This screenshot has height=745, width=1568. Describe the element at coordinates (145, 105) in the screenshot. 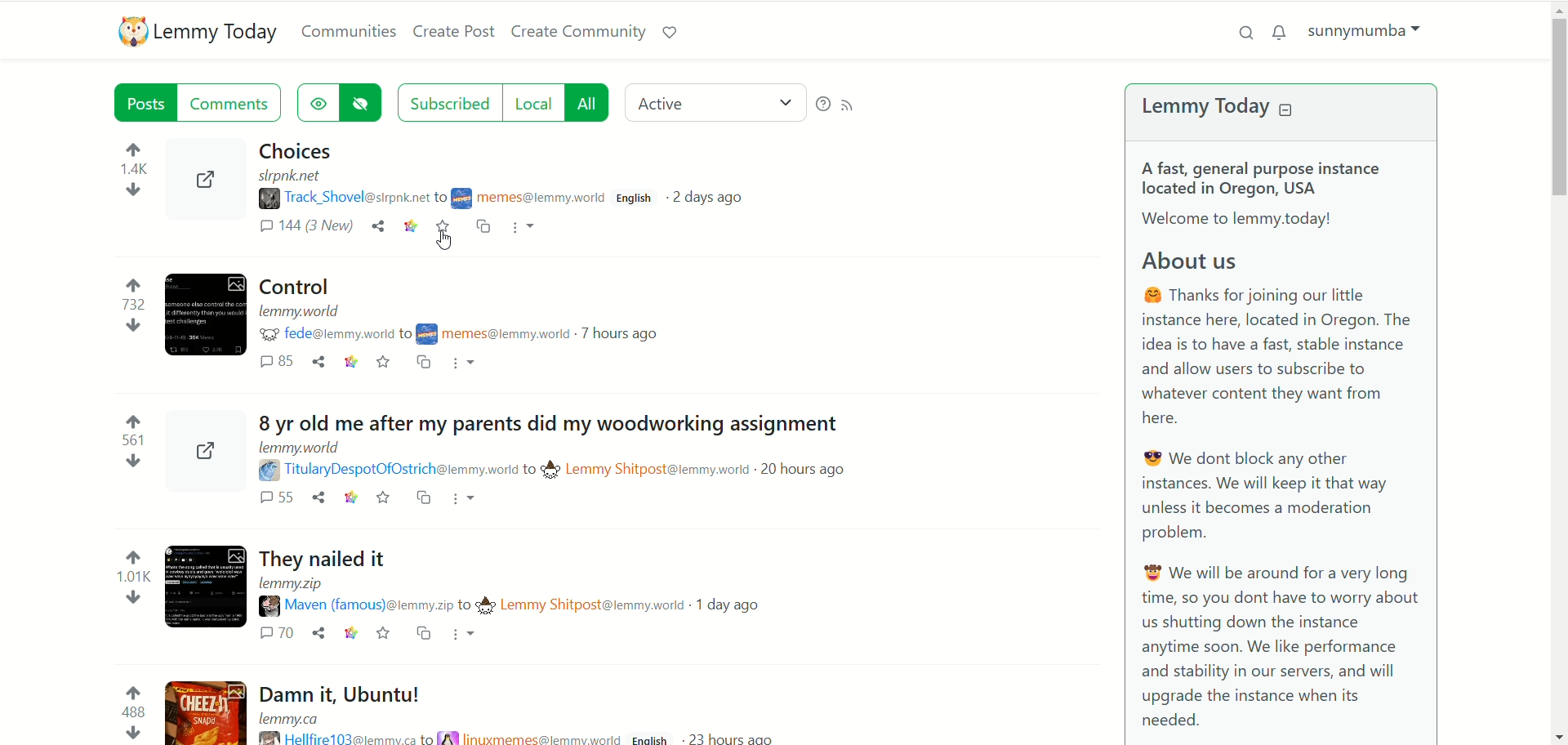

I see `posts` at that location.